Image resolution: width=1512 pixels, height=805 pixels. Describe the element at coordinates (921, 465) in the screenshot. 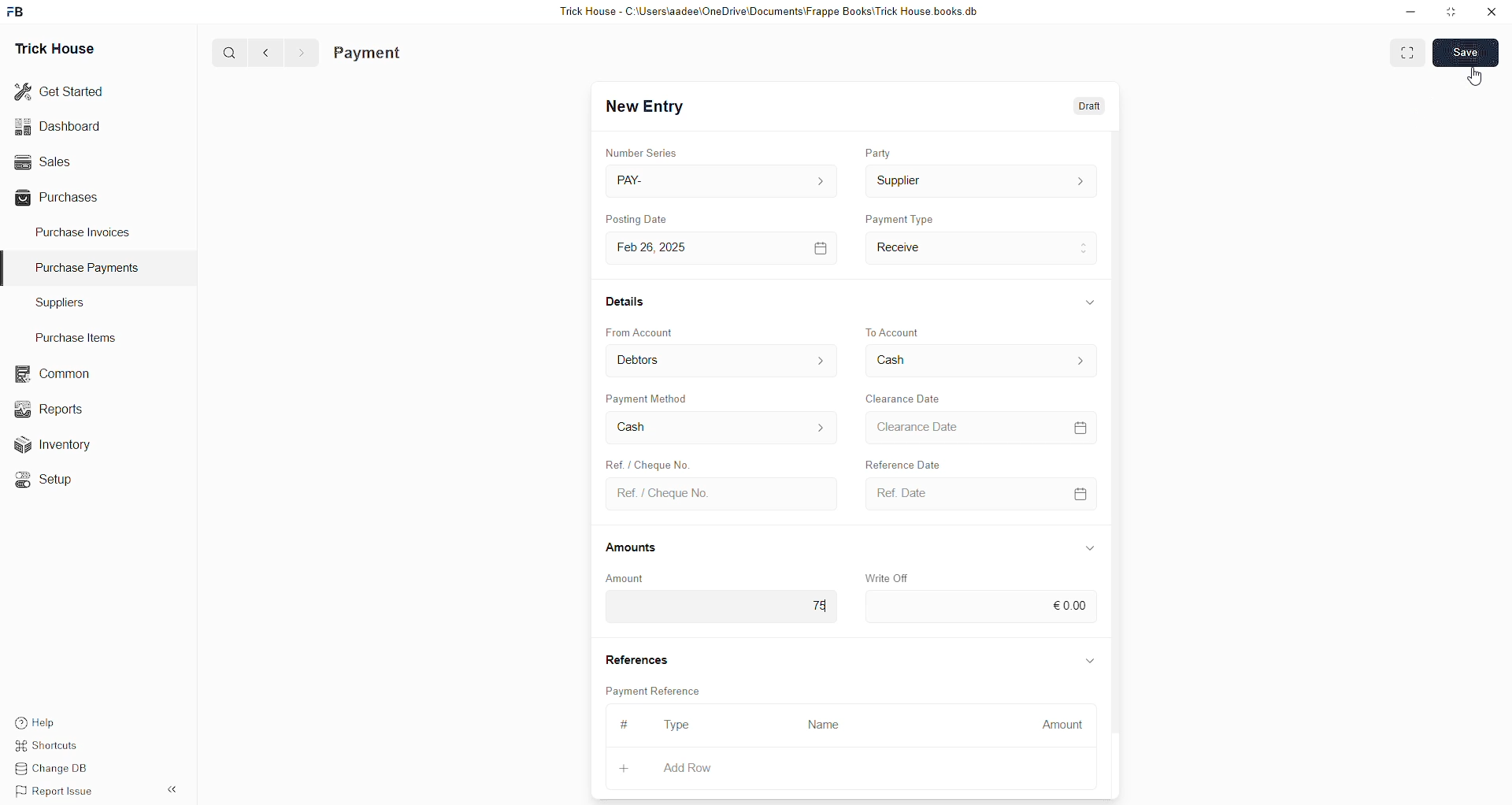

I see `Reference Date` at that location.